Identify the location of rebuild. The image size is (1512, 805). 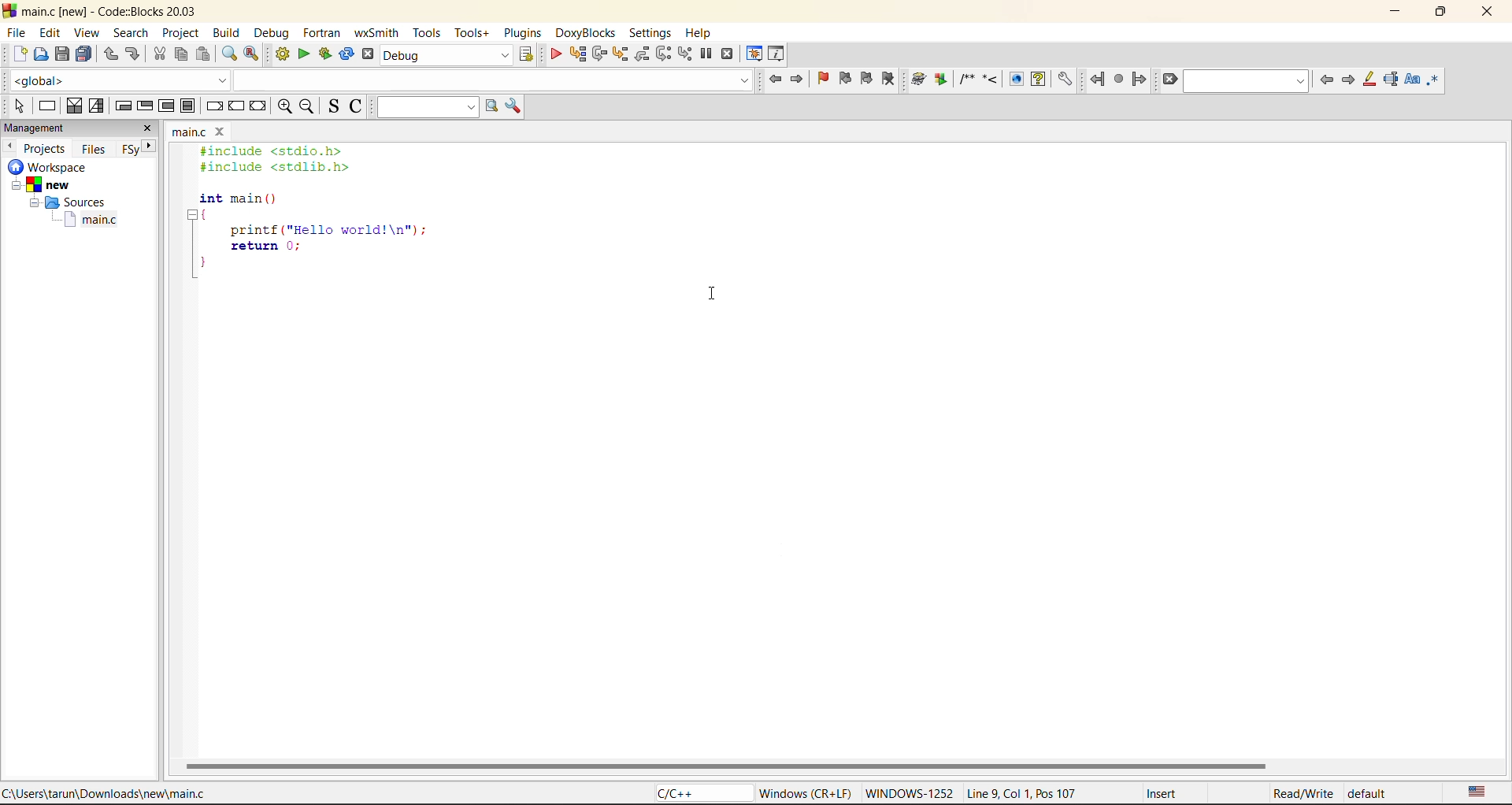
(345, 54).